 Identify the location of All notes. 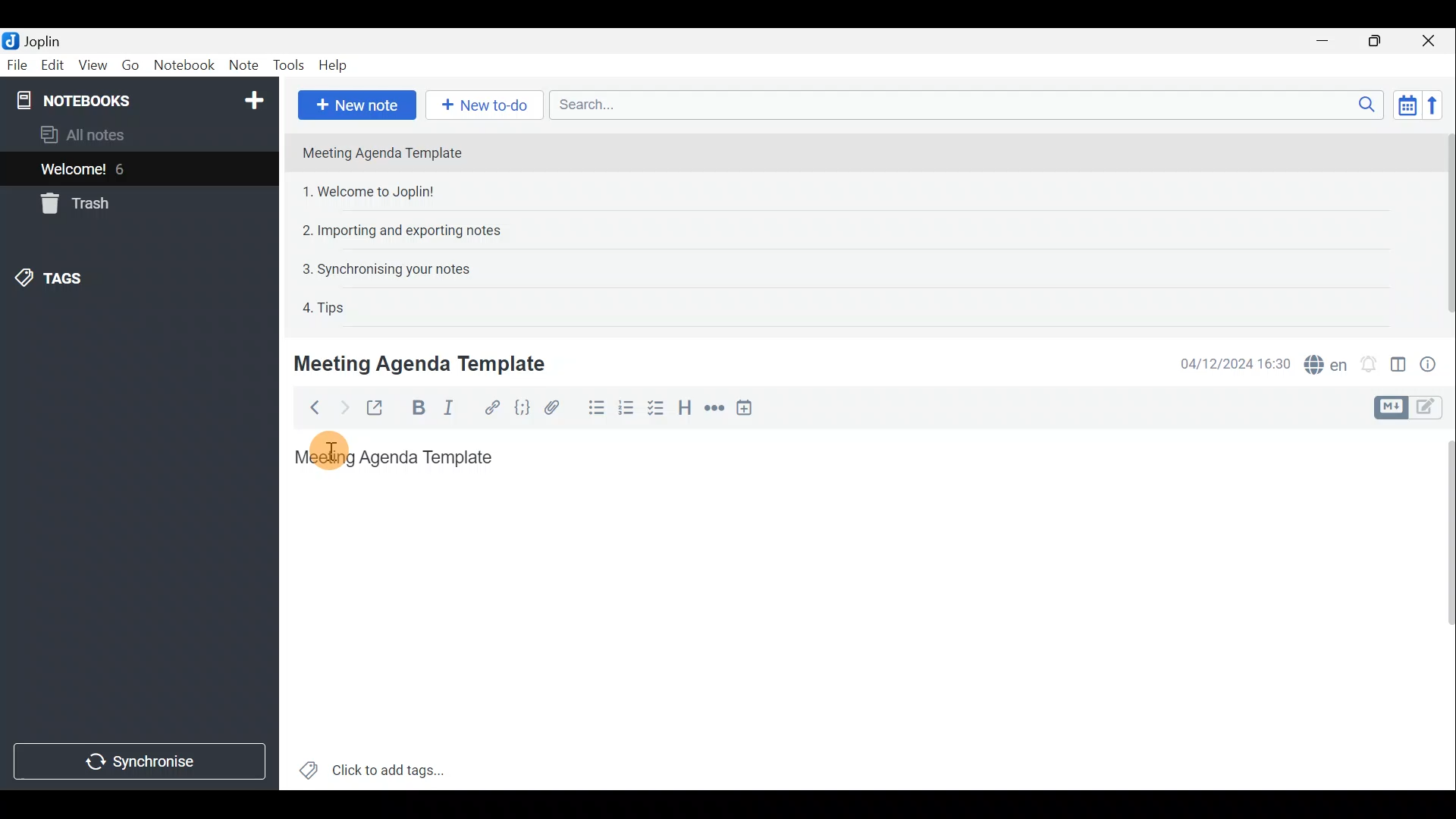
(108, 134).